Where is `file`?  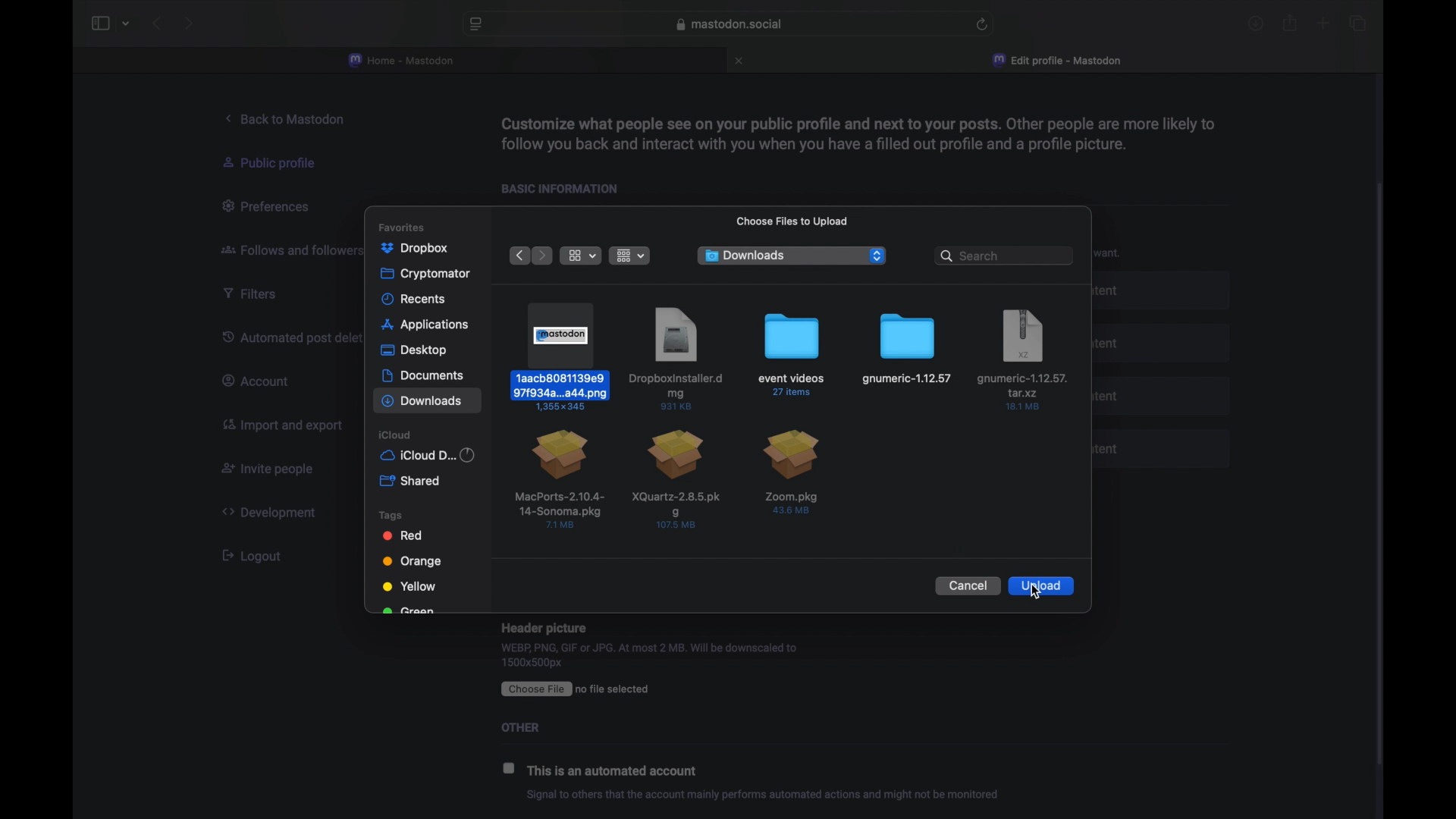 file is located at coordinates (677, 358).